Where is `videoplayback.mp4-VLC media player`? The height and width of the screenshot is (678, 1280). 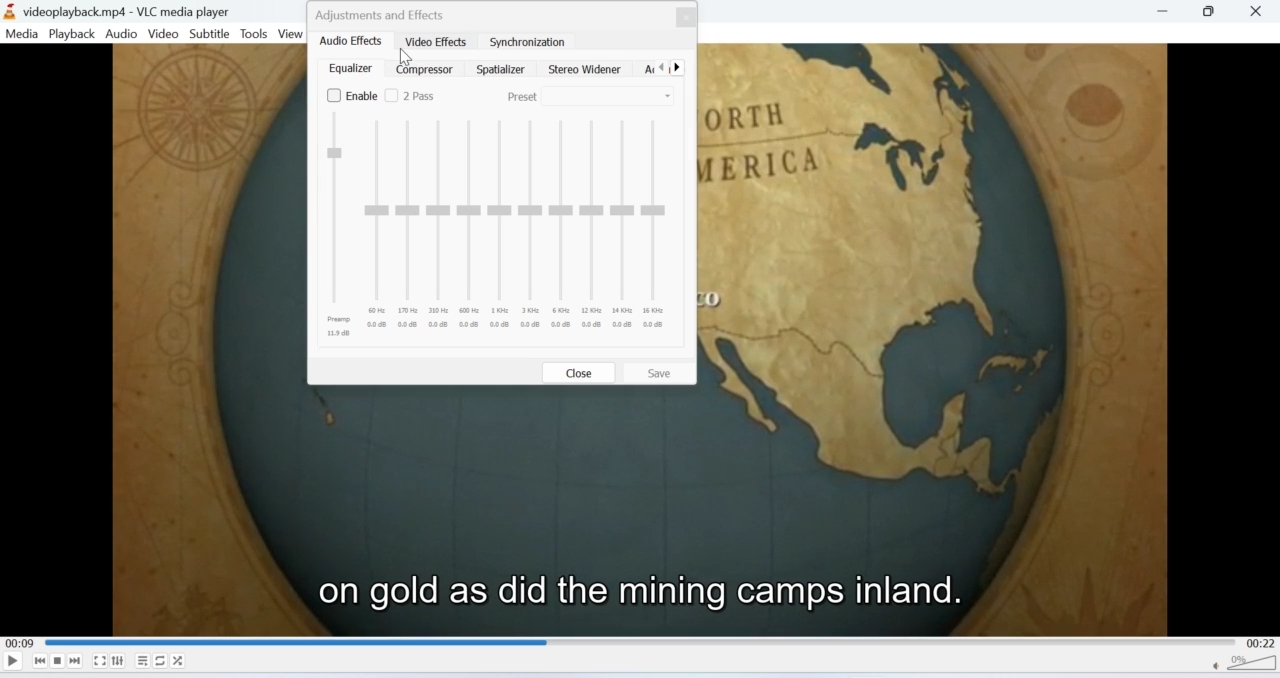 videoplayback.mp4-VLC media player is located at coordinates (117, 13).